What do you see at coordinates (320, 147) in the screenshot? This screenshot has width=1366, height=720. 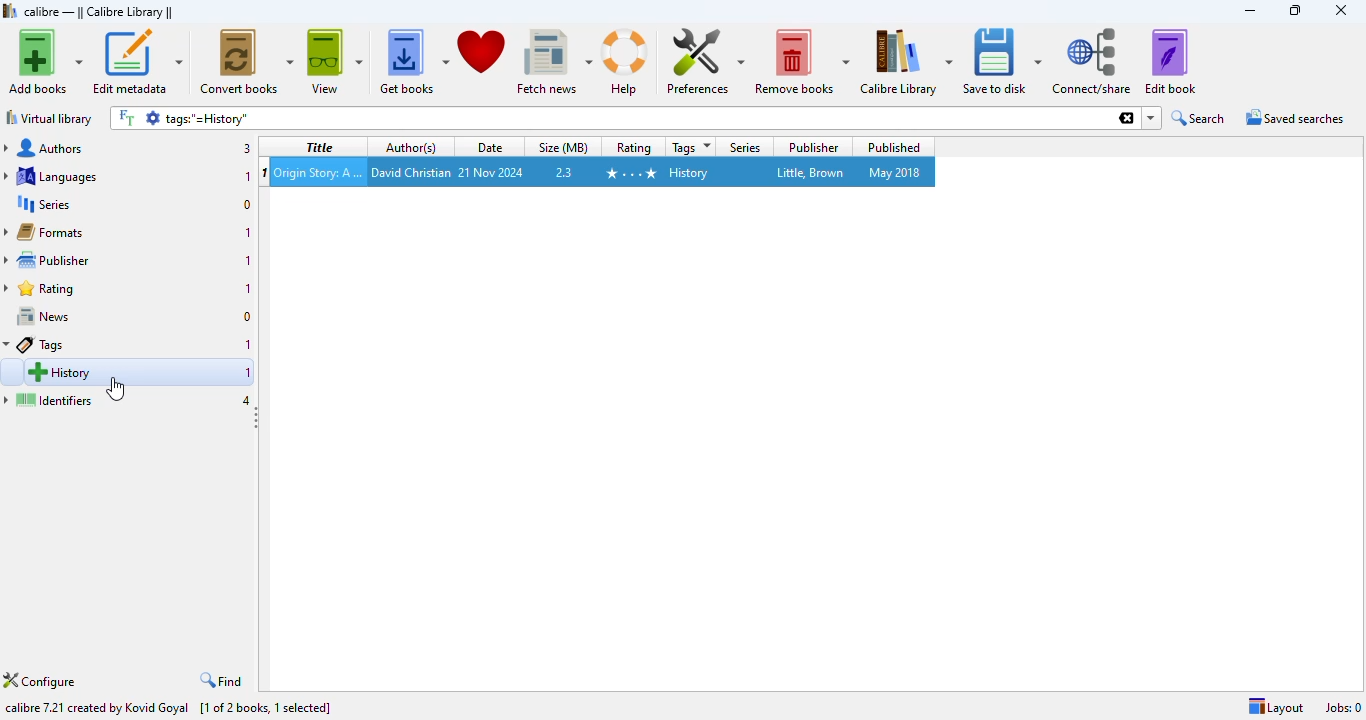 I see `title` at bounding box center [320, 147].